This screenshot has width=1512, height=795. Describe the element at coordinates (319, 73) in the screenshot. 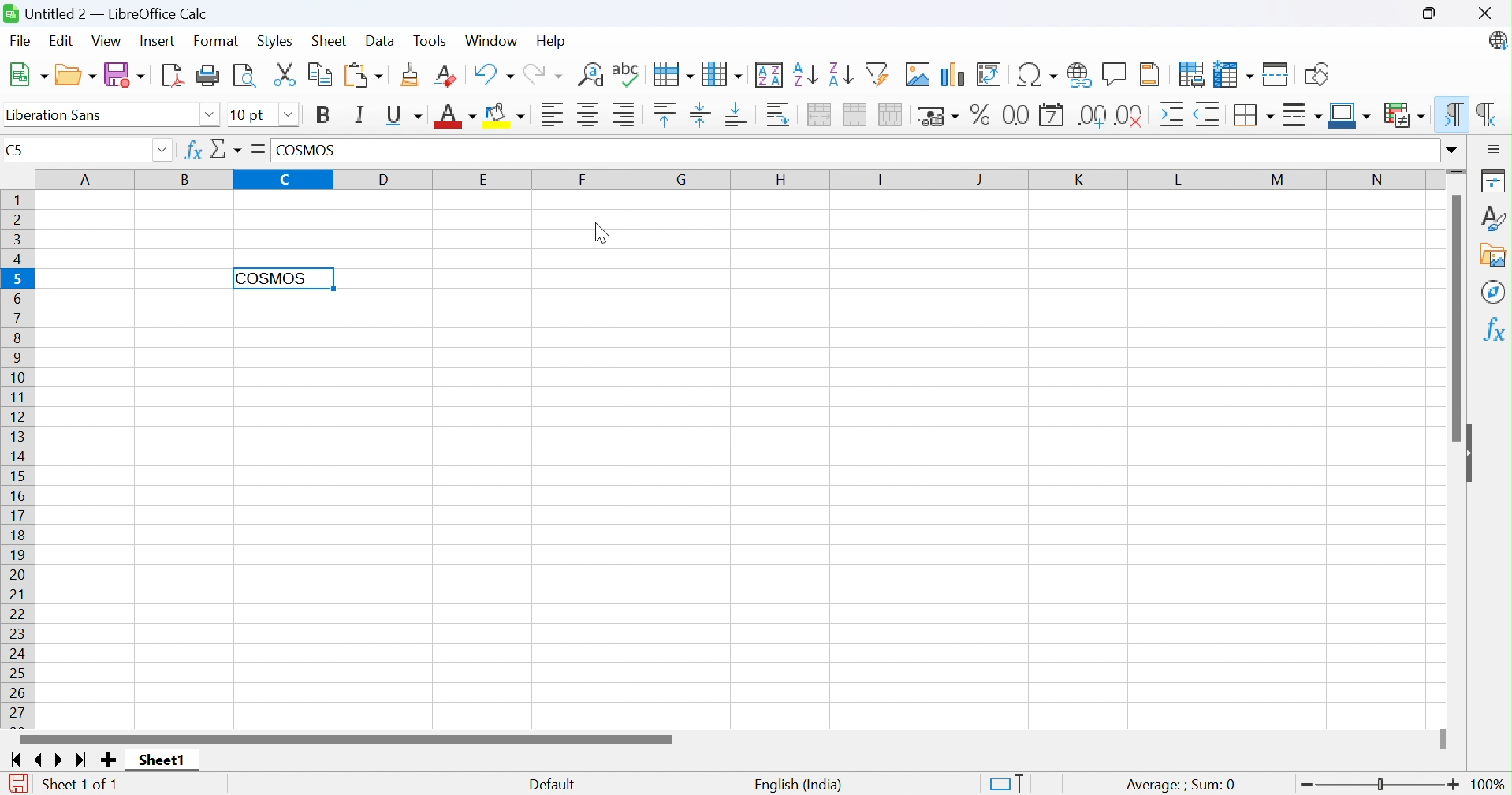

I see `Copy` at that location.